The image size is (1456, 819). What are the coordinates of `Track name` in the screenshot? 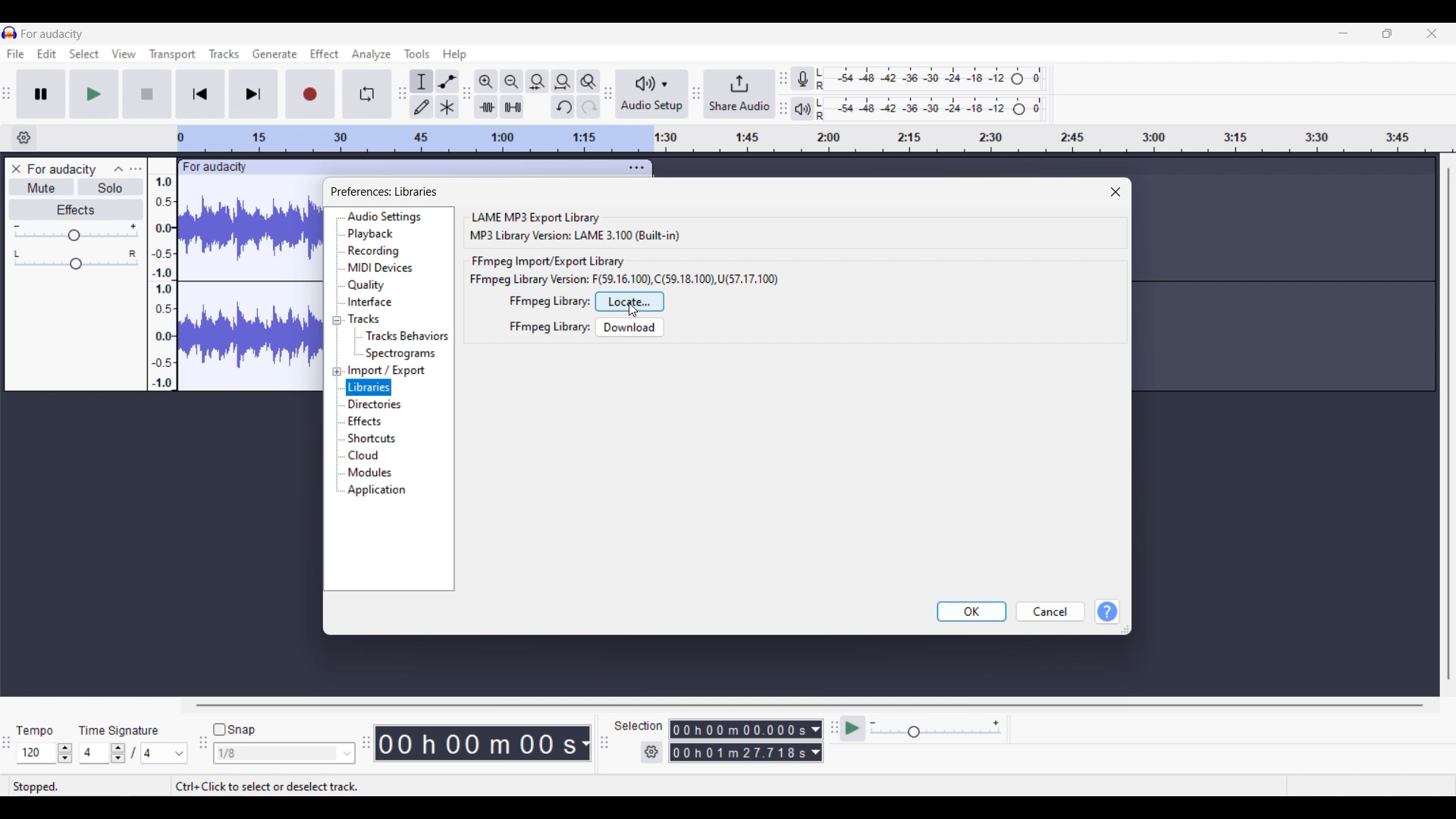 It's located at (62, 169).